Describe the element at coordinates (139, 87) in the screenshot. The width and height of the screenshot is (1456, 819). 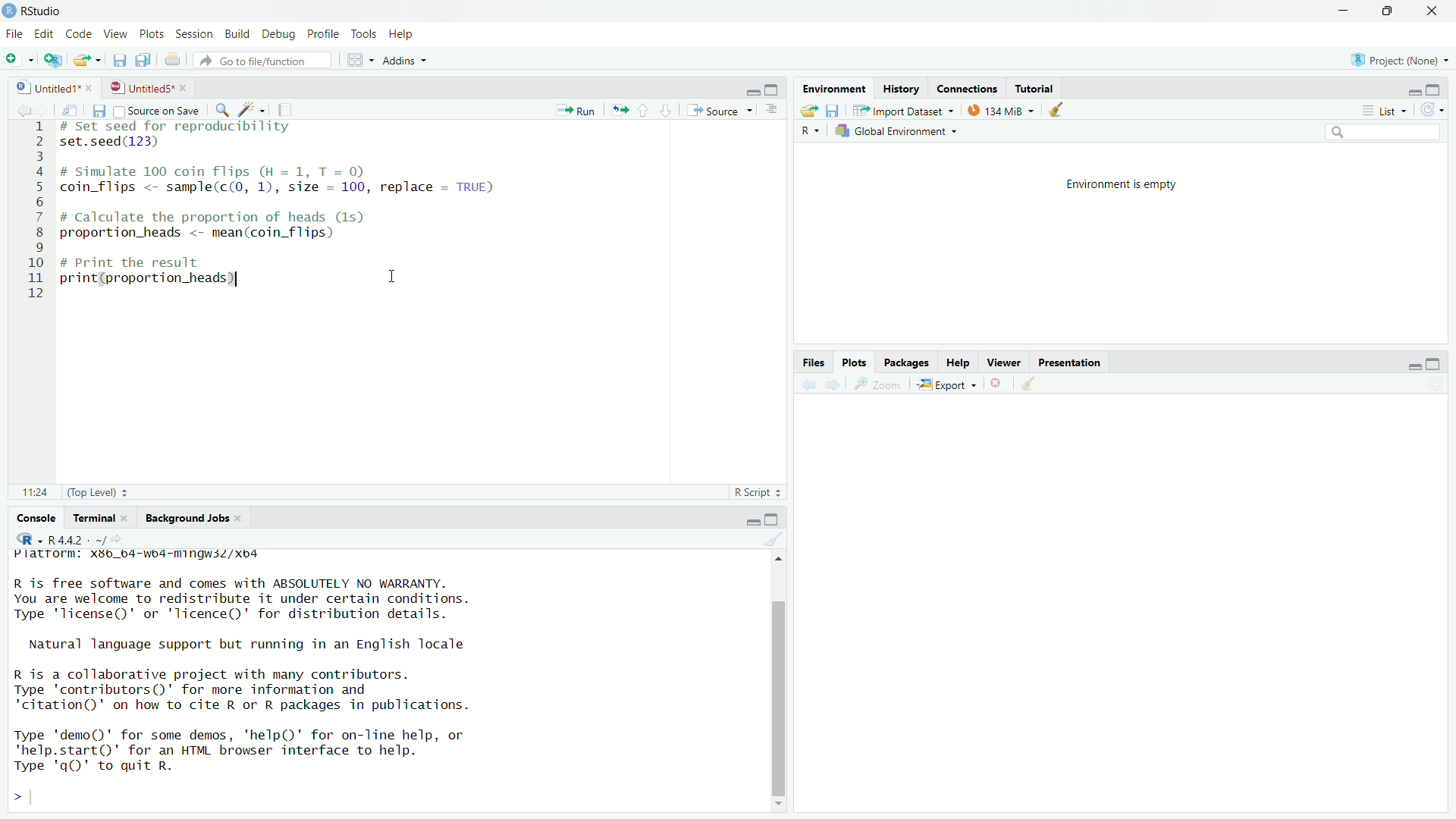
I see `untitled5` at that location.